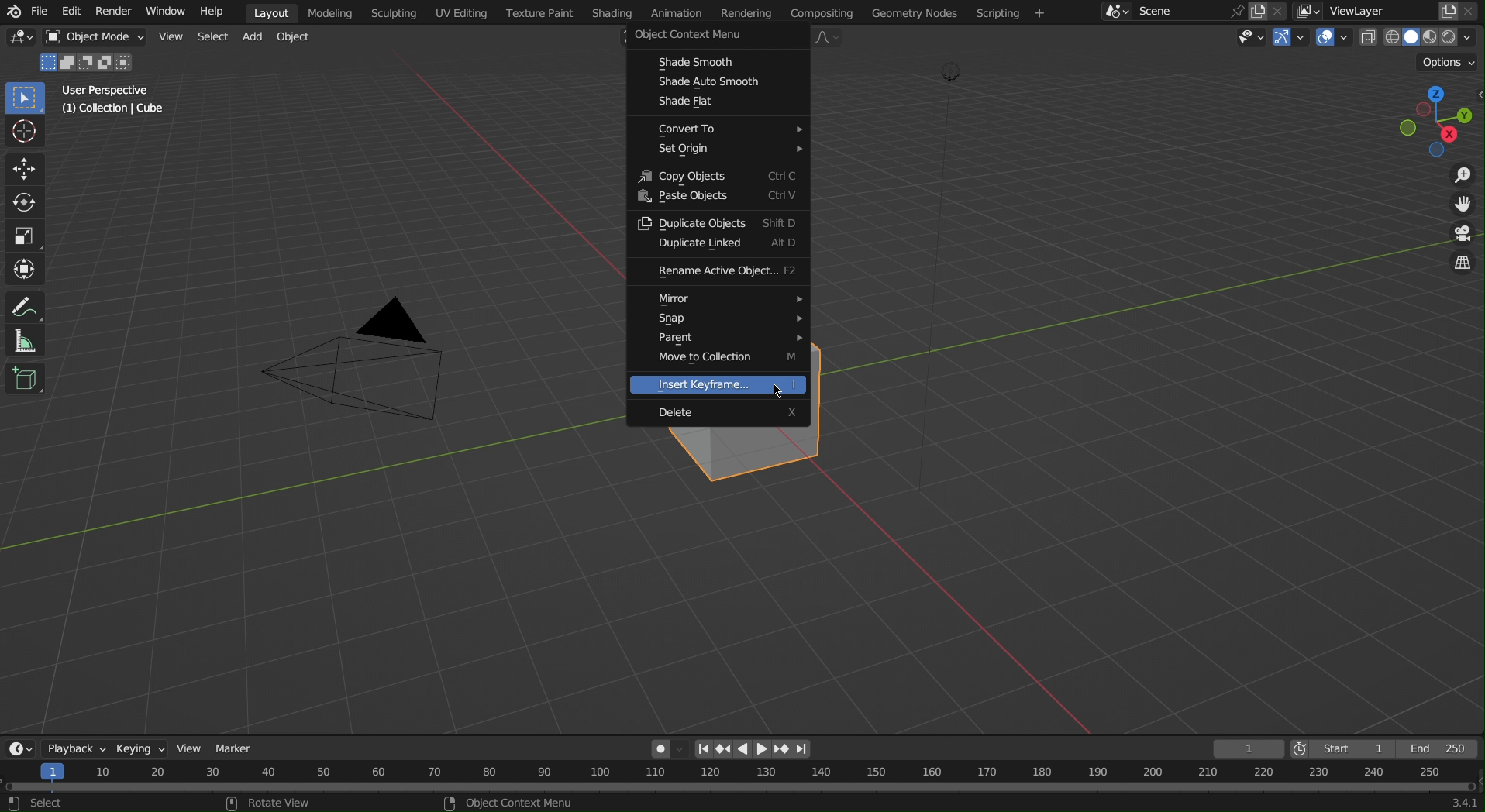 The image size is (1485, 812). I want to click on Insert Keyframe, so click(718, 385).